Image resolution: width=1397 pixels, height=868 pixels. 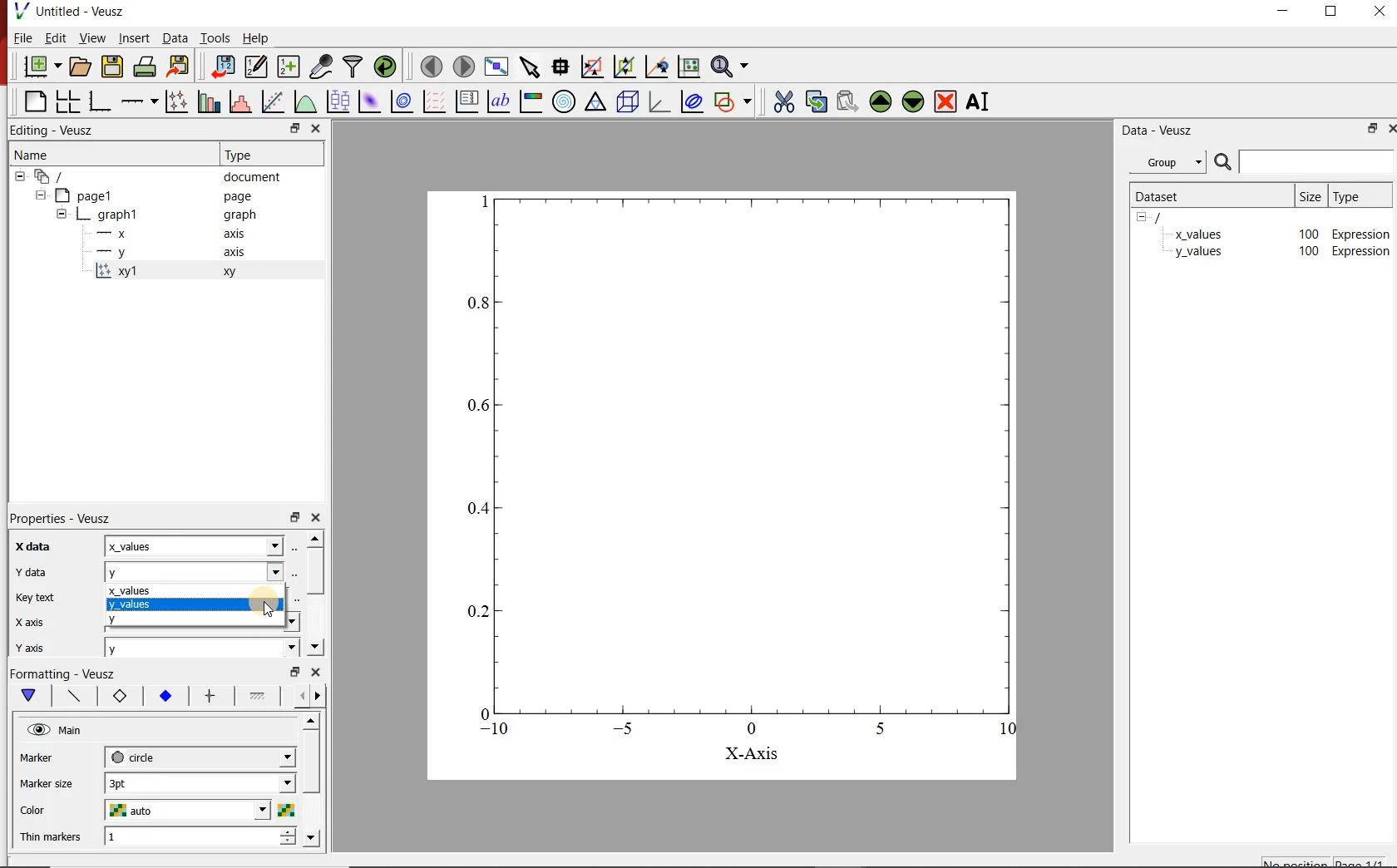 What do you see at coordinates (730, 68) in the screenshot?
I see `zoom functions menu` at bounding box center [730, 68].